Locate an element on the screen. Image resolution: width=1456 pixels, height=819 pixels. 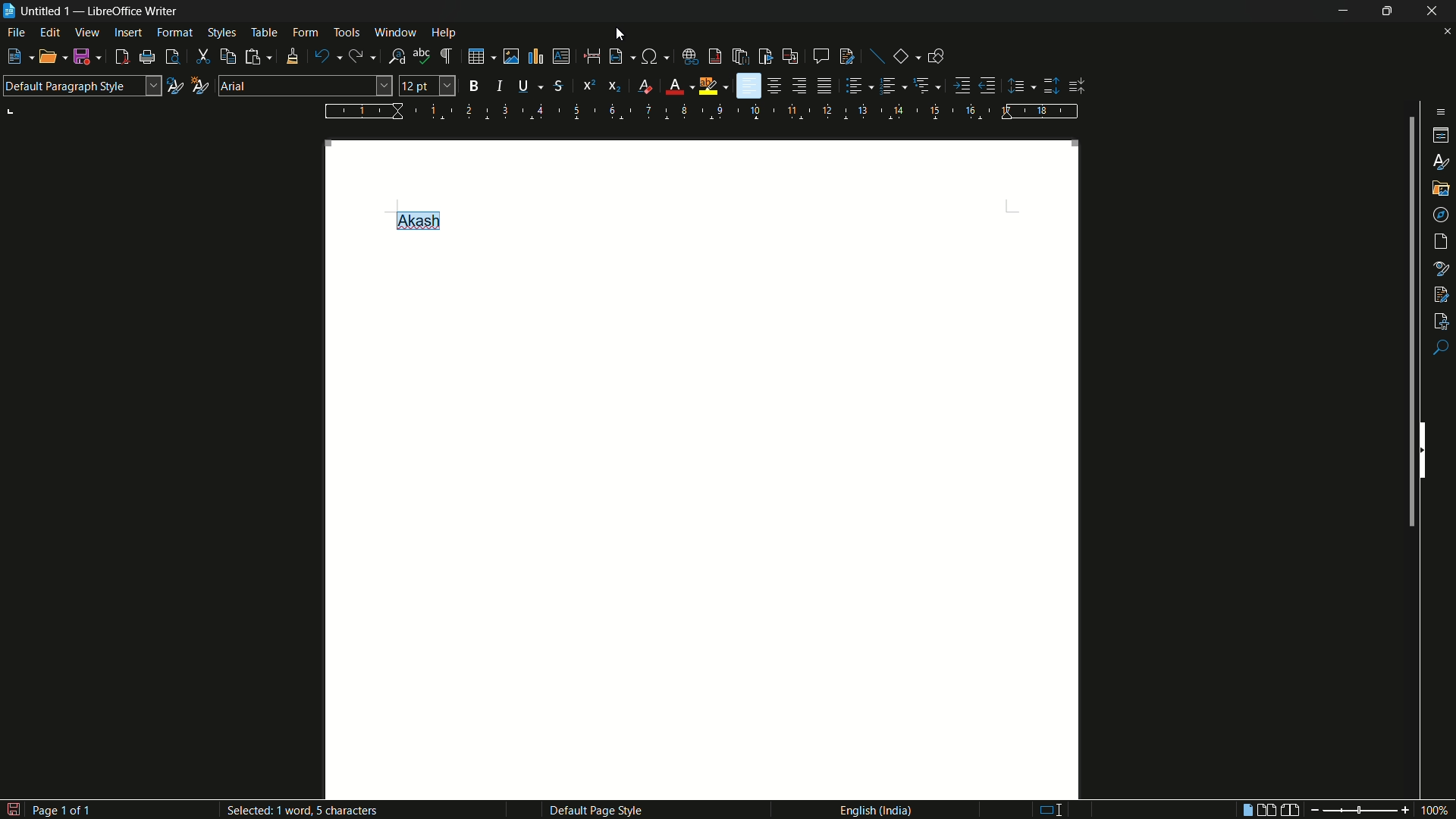
sidebar settings is located at coordinates (1438, 111).